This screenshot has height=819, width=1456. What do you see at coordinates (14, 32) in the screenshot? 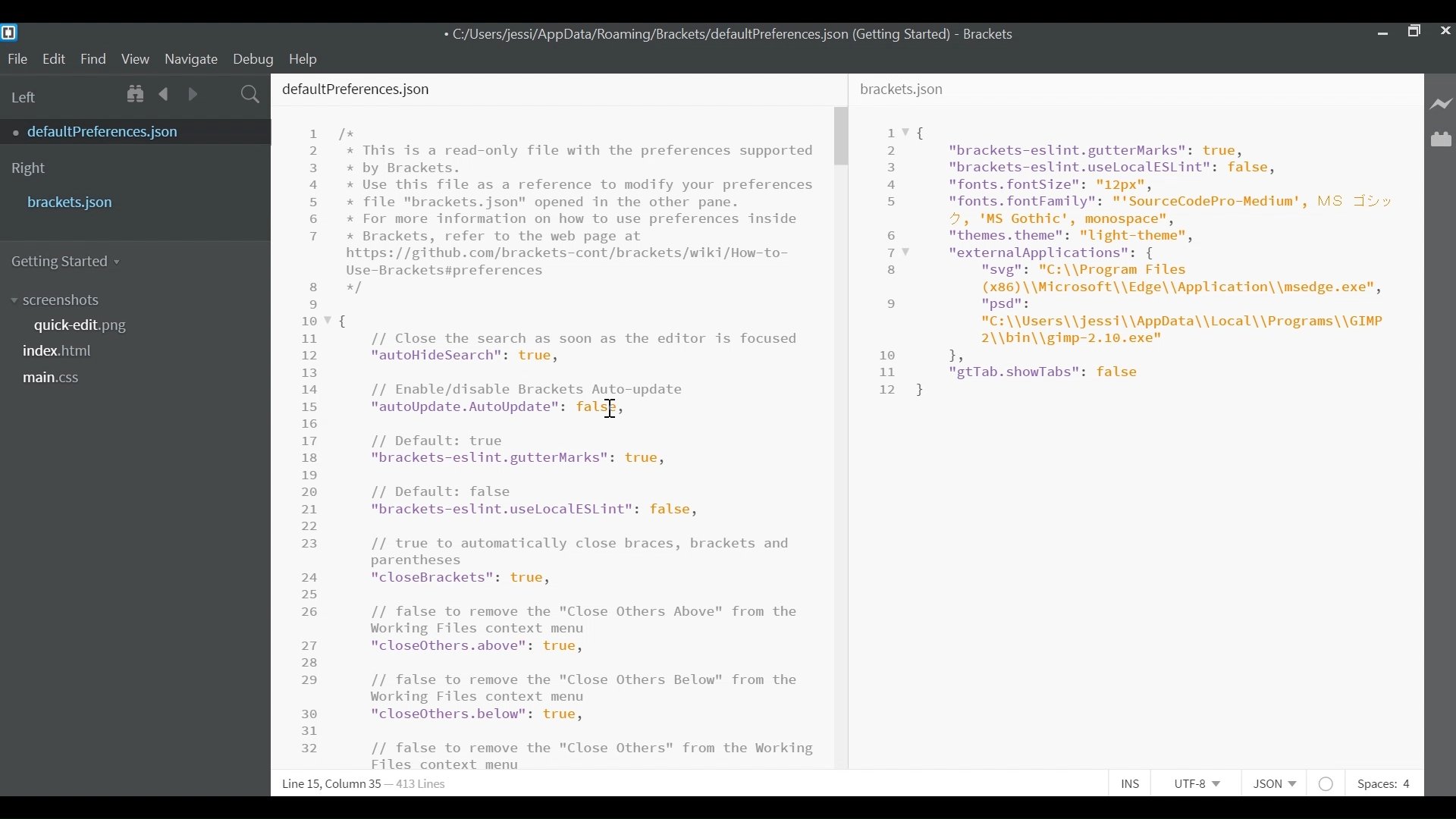
I see `Brackets Desktop icon` at bounding box center [14, 32].